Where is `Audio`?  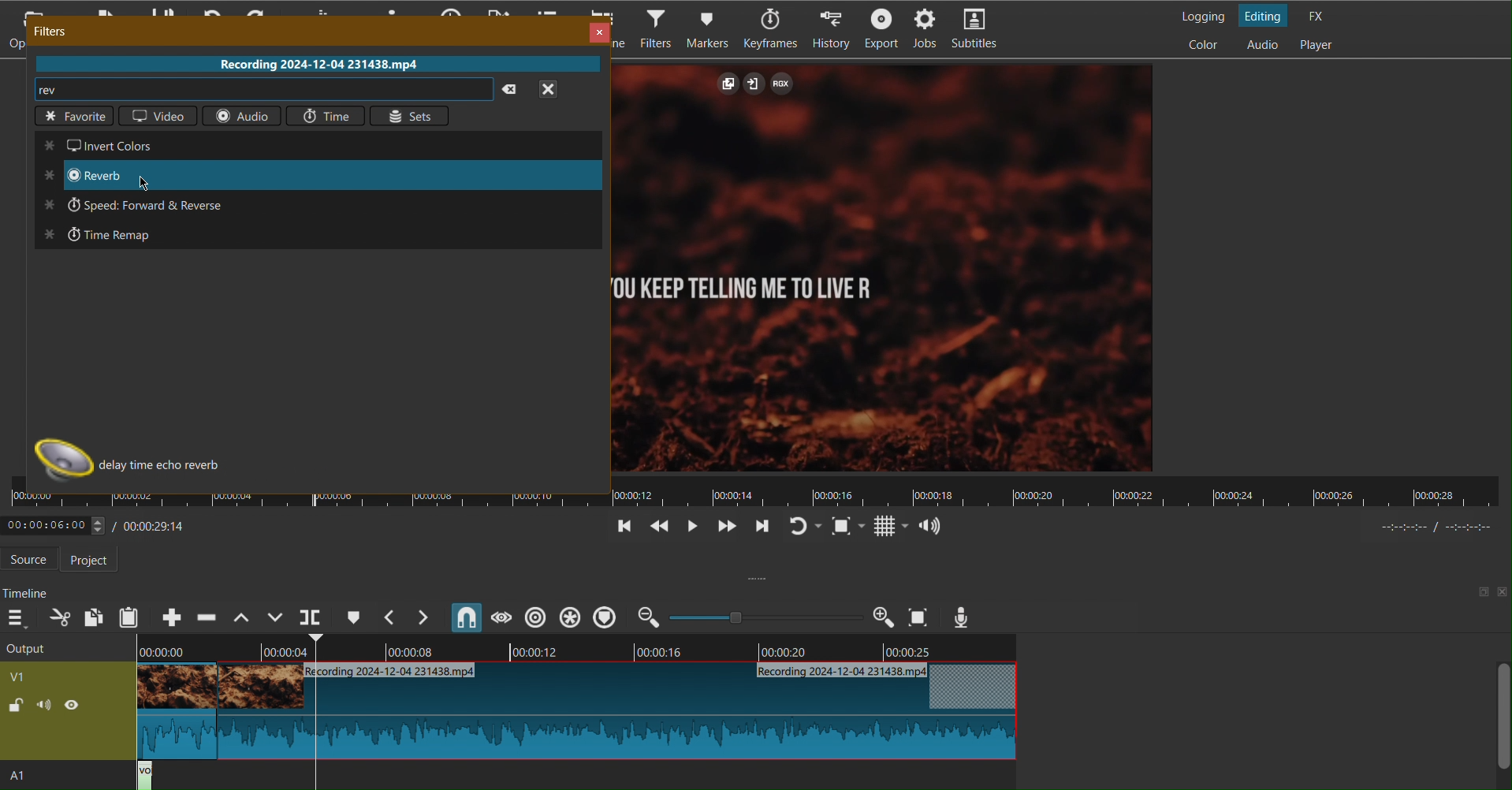
Audio is located at coordinates (931, 524).